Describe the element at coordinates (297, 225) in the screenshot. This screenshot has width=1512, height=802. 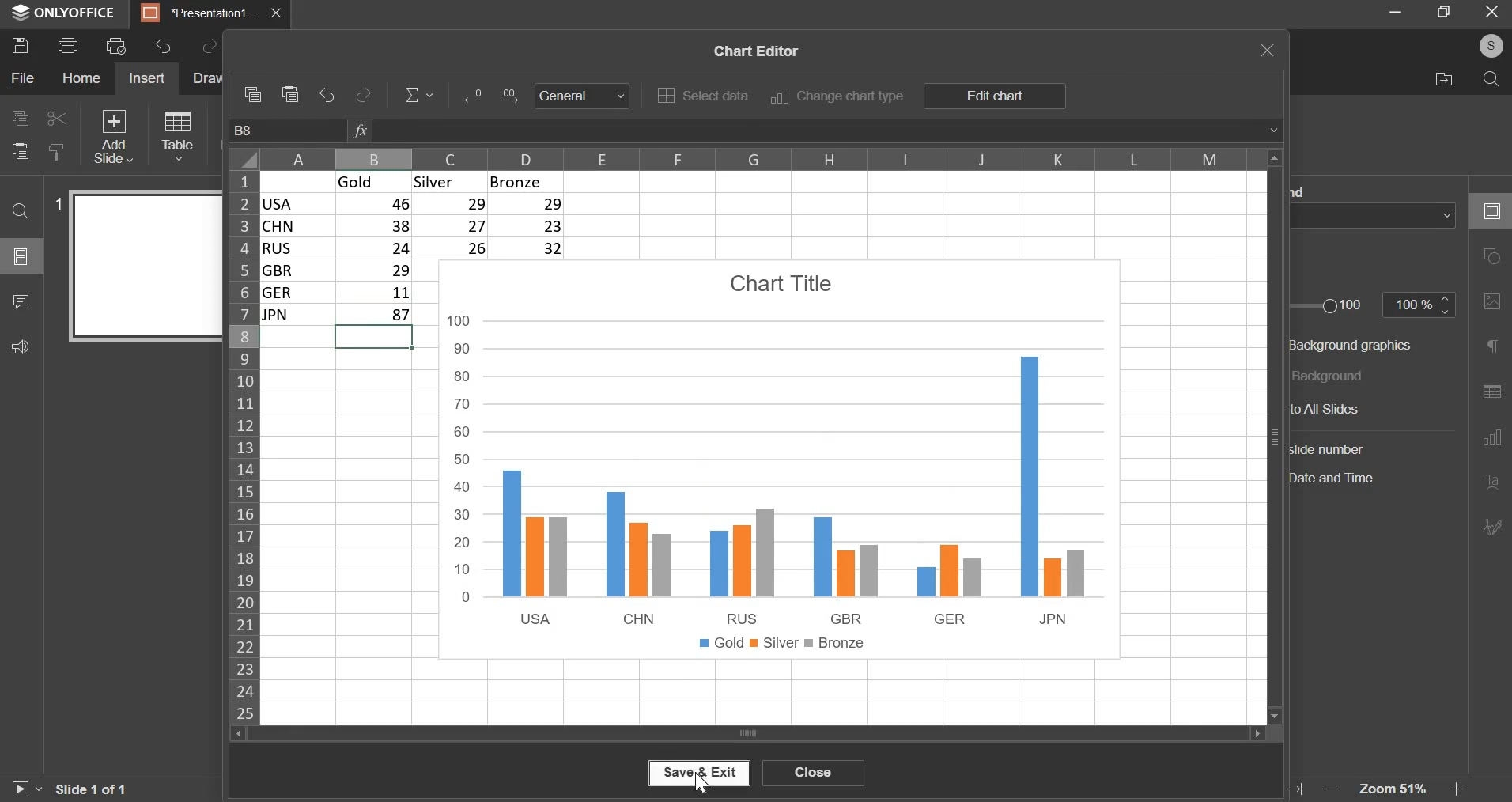
I see `chn` at that location.